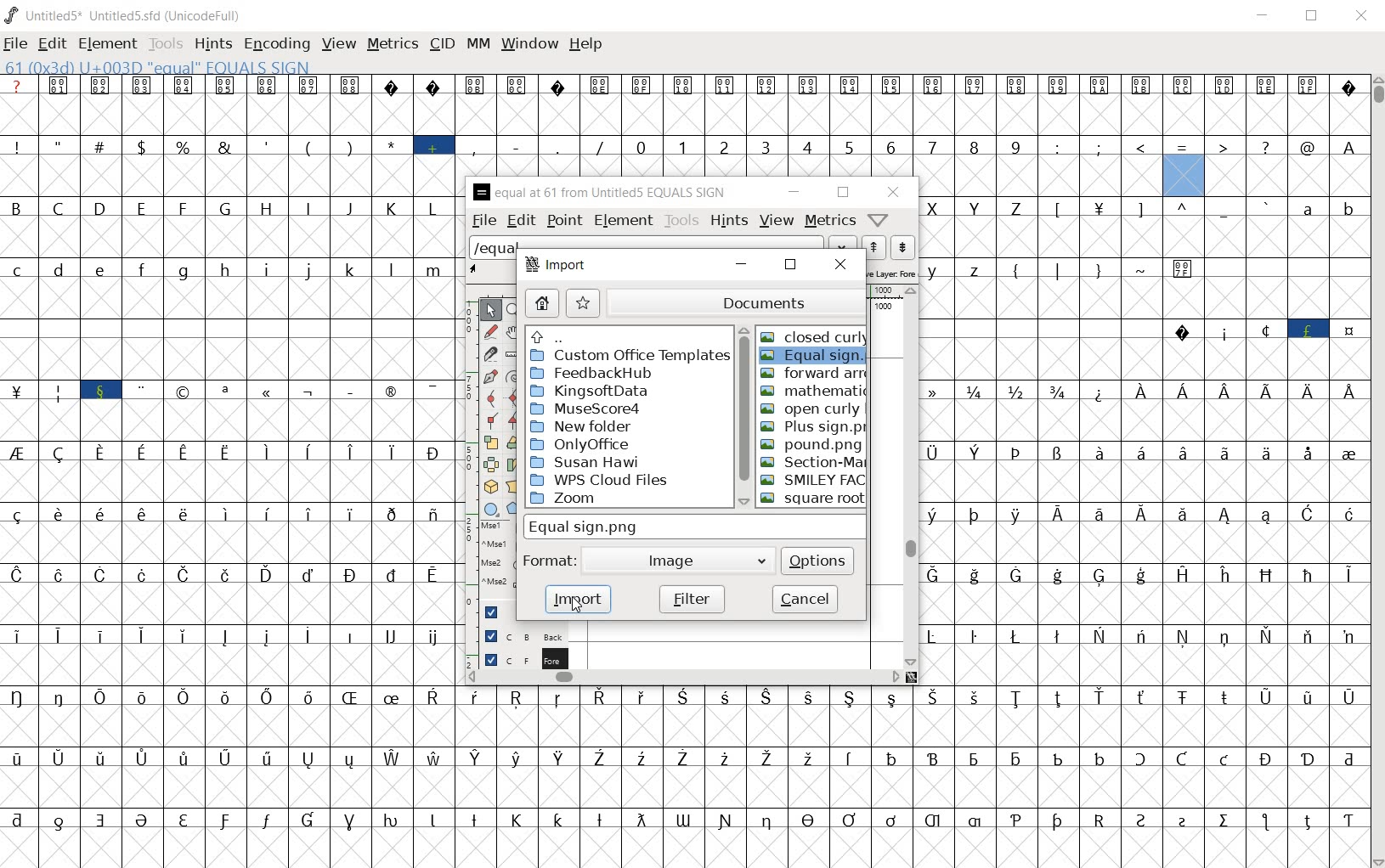  I want to click on skew the selection, so click(512, 465).